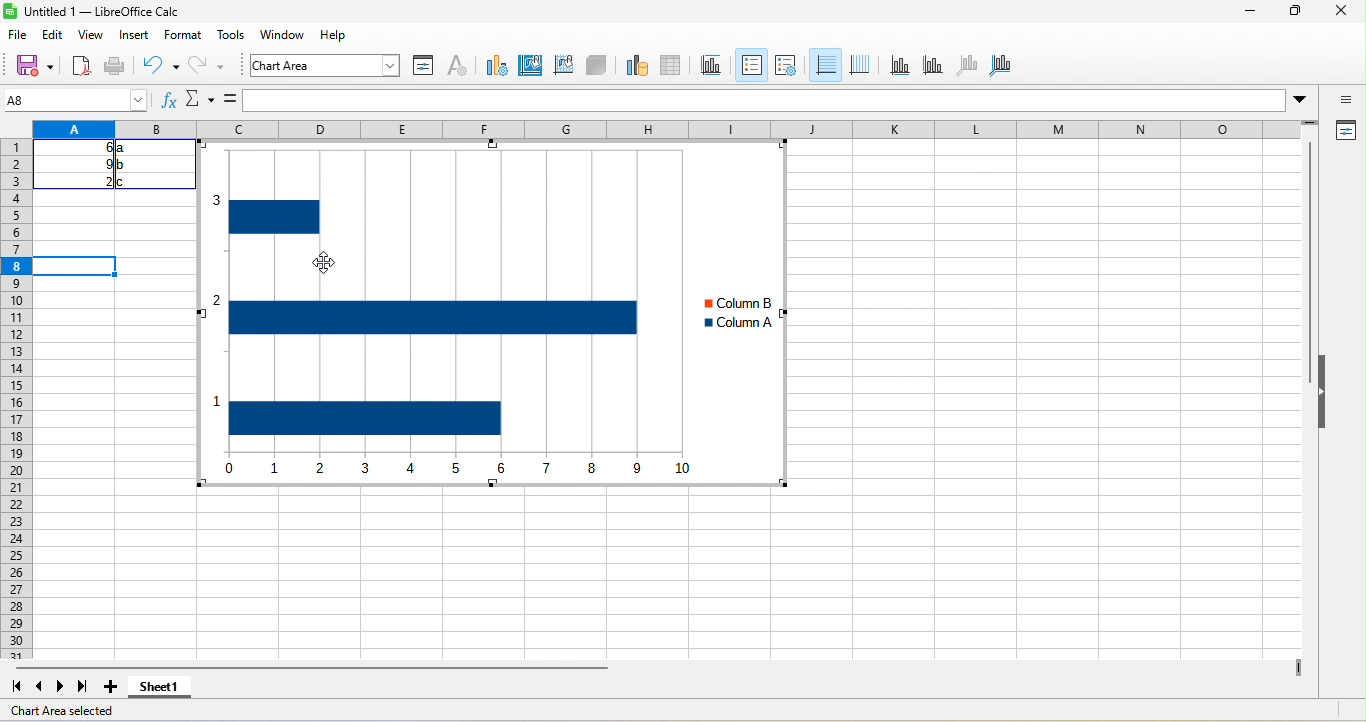 The height and width of the screenshot is (722, 1366). Describe the element at coordinates (127, 181) in the screenshot. I see `c` at that location.